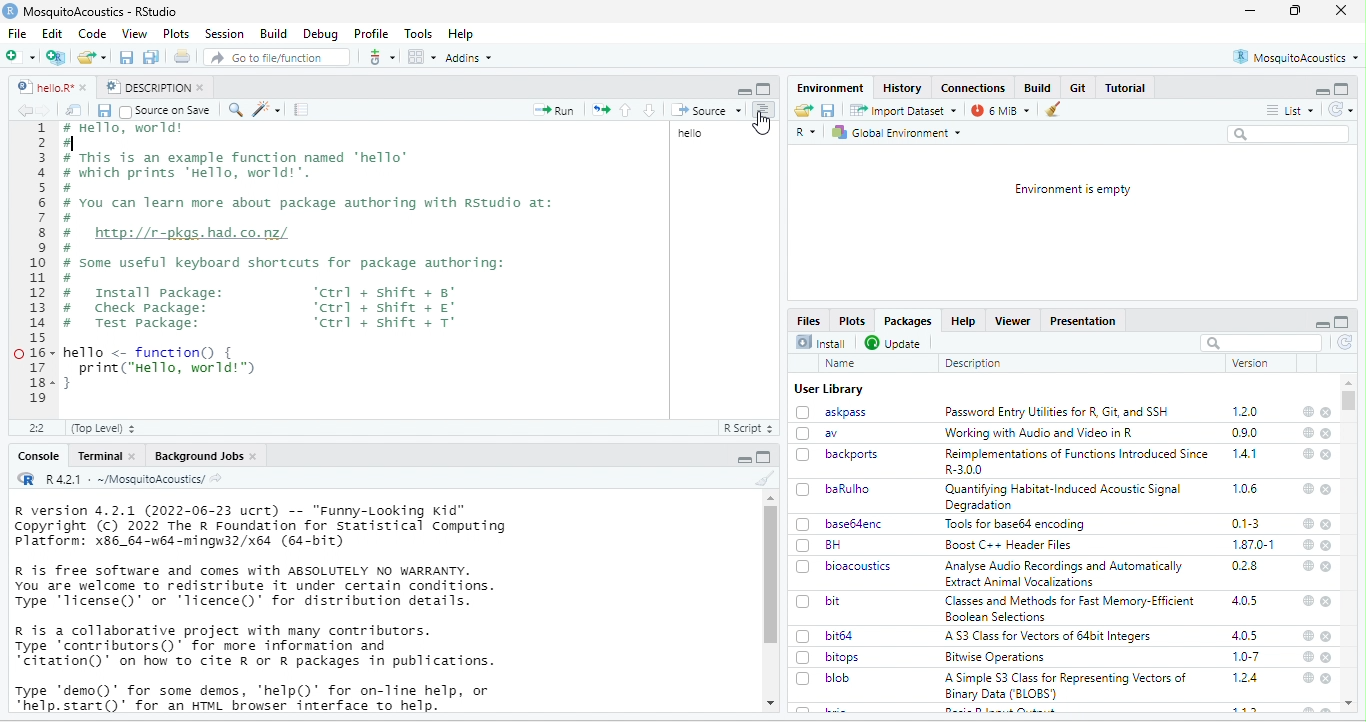 This screenshot has width=1366, height=722. I want to click on bioacoustics, so click(845, 567).